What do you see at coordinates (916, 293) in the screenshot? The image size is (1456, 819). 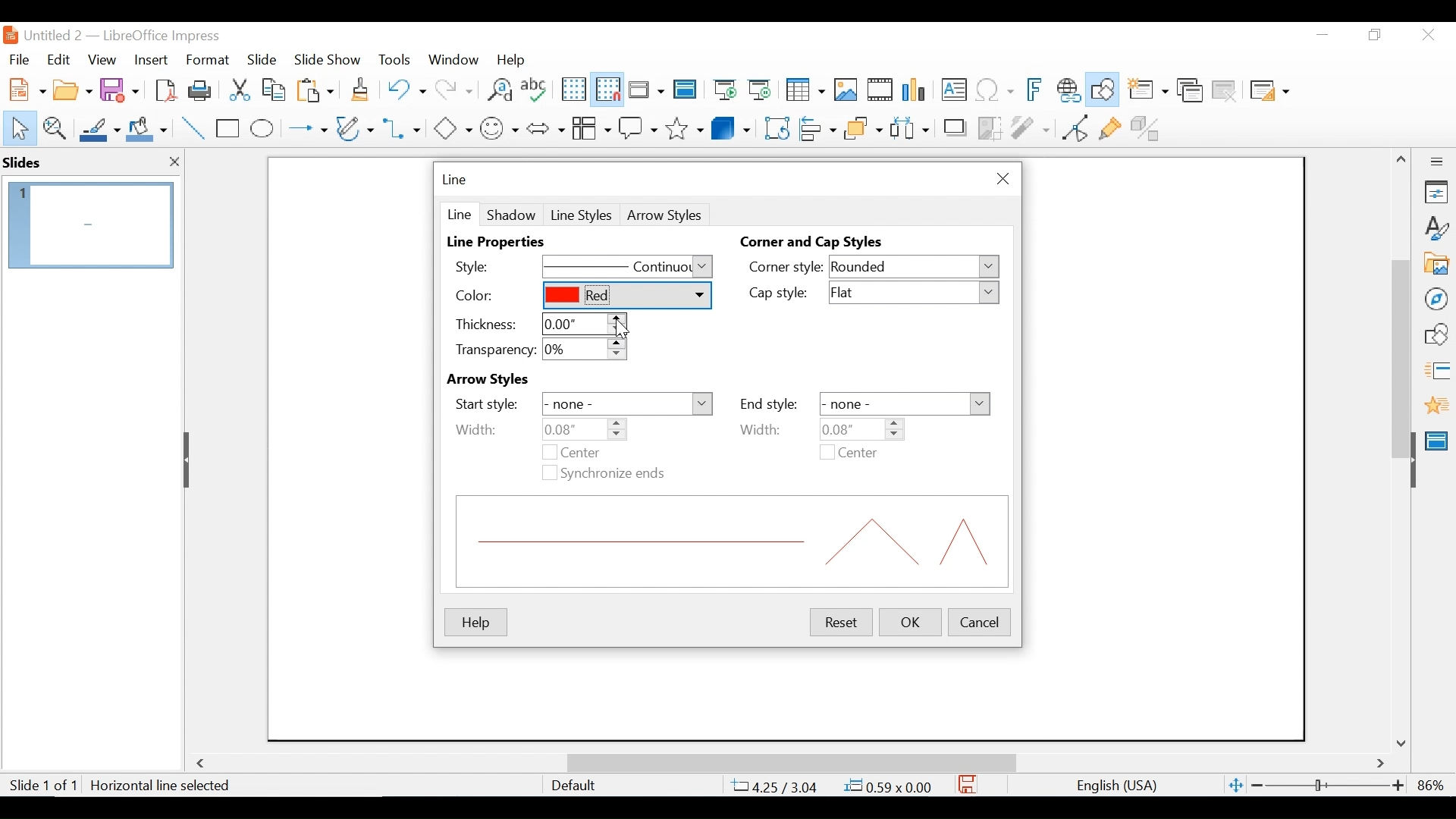 I see `Flat` at bounding box center [916, 293].